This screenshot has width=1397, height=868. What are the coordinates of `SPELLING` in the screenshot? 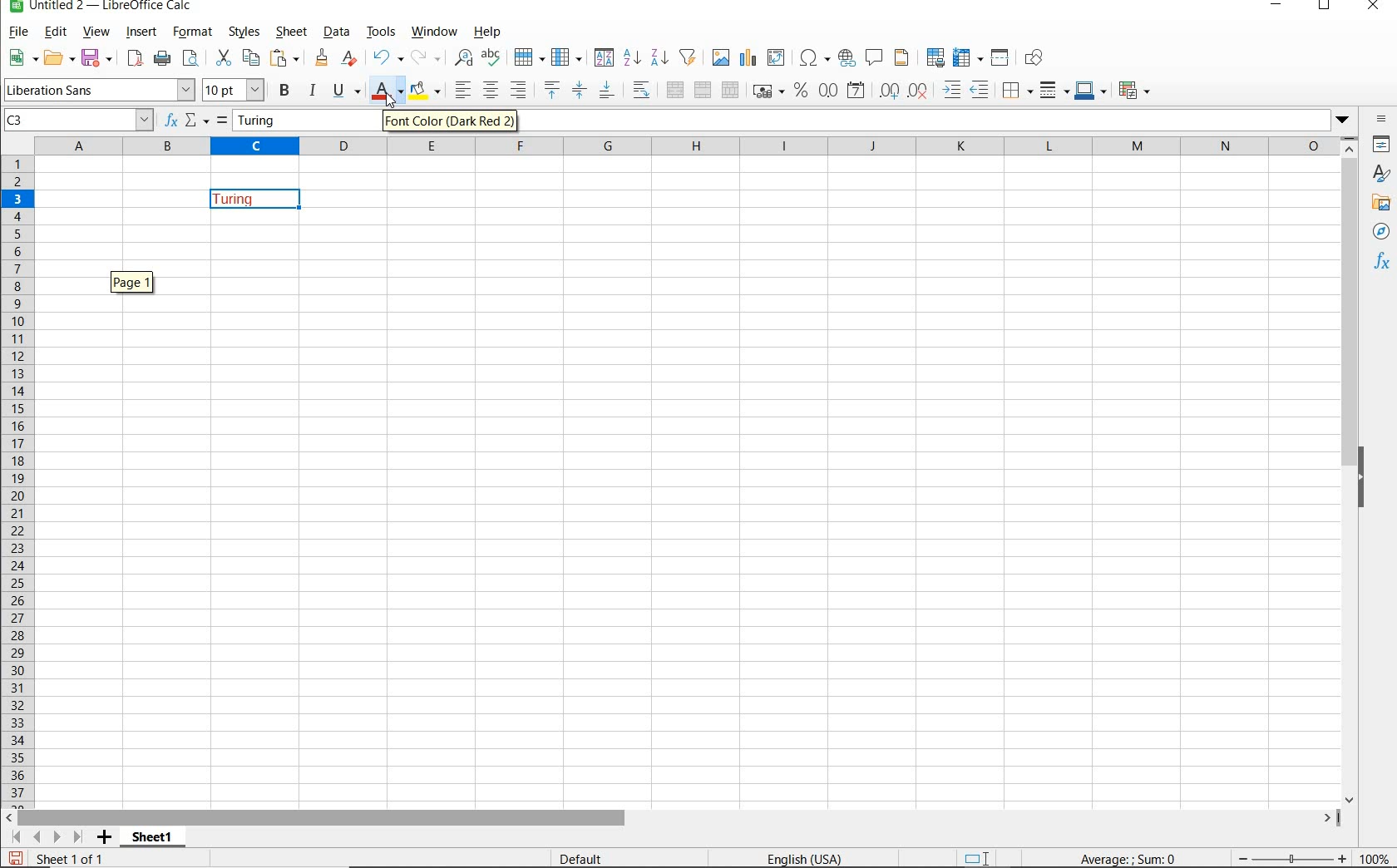 It's located at (492, 57).